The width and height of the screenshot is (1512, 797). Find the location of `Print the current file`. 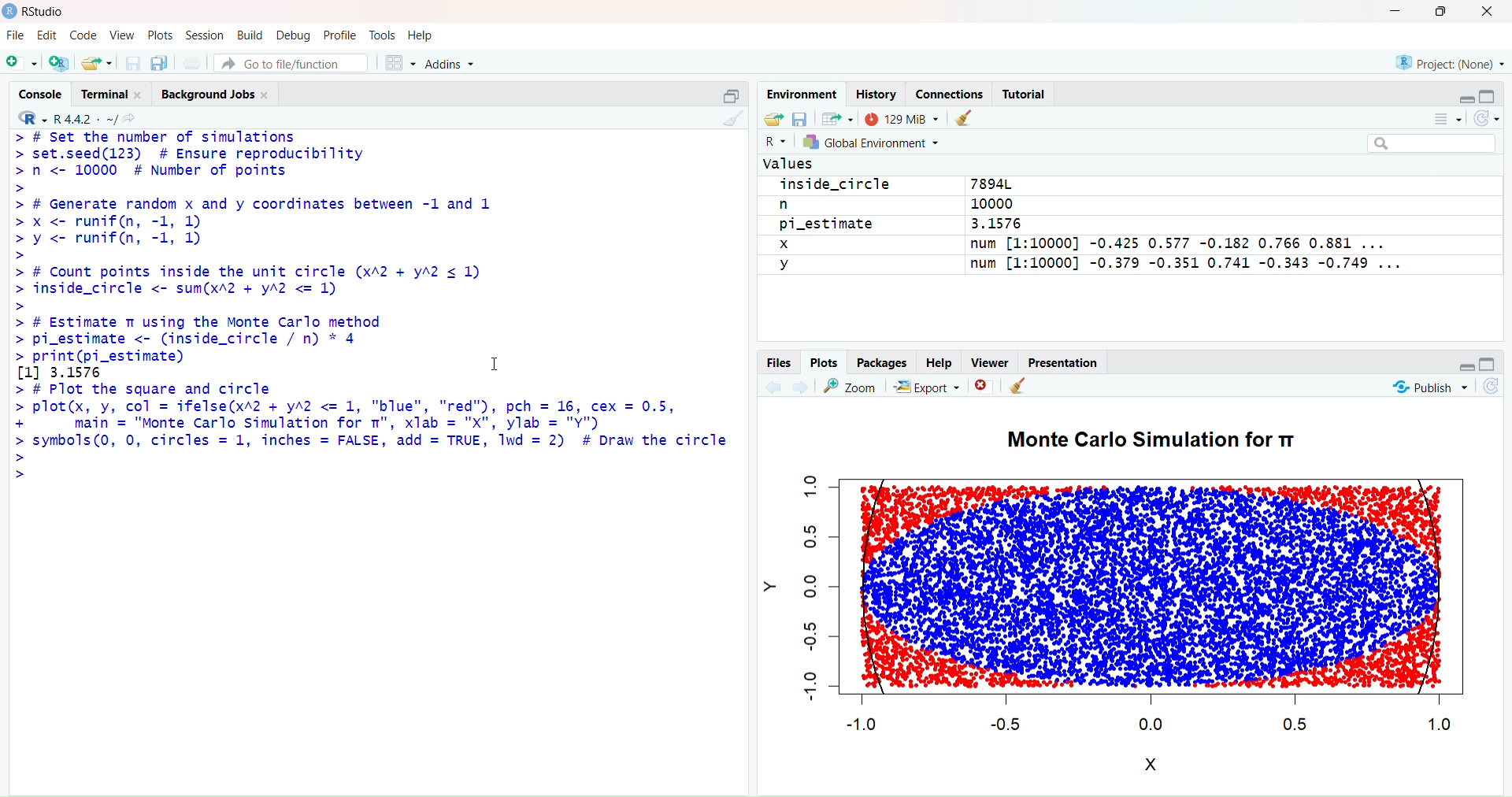

Print the current file is located at coordinates (195, 60).